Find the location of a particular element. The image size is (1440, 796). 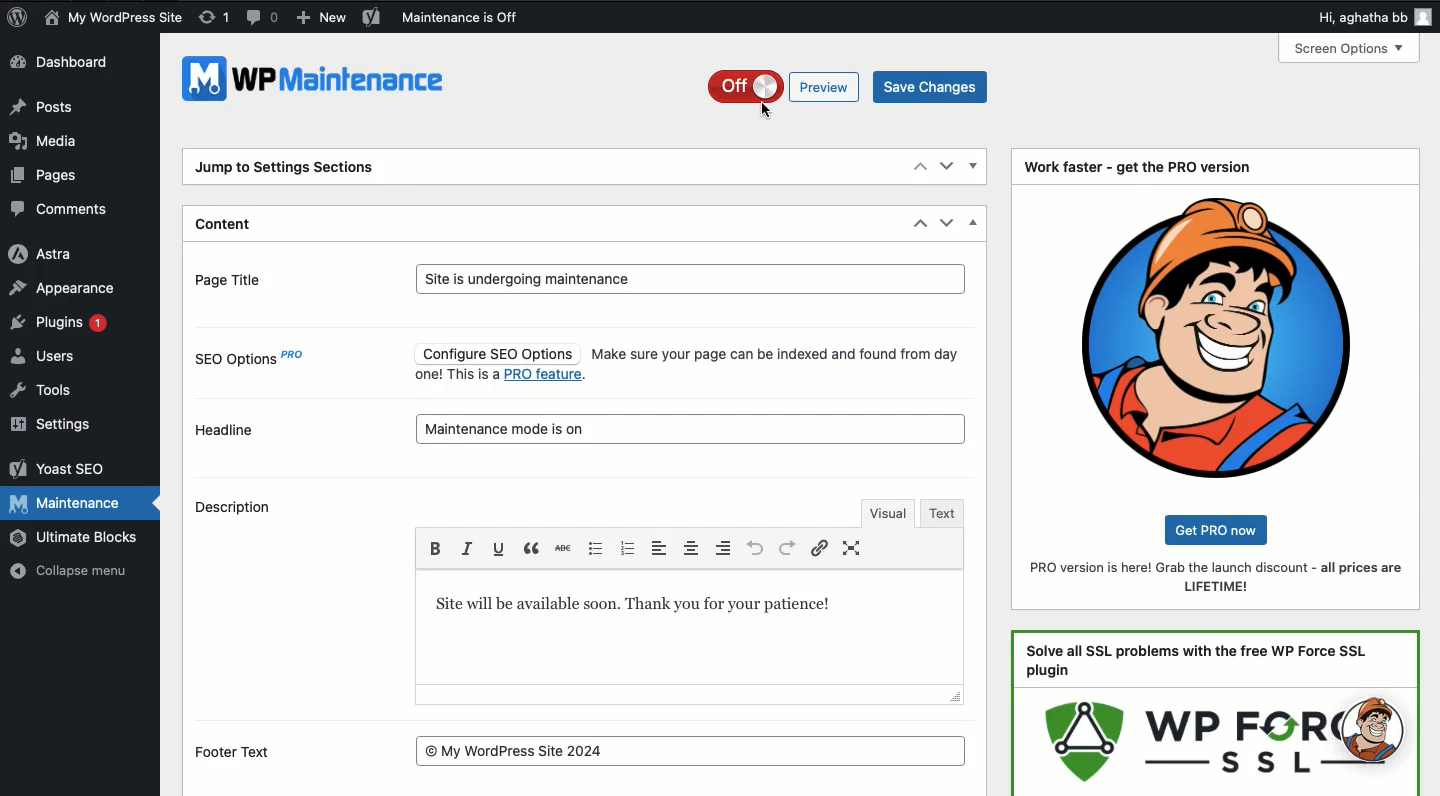

Name is located at coordinates (115, 17).